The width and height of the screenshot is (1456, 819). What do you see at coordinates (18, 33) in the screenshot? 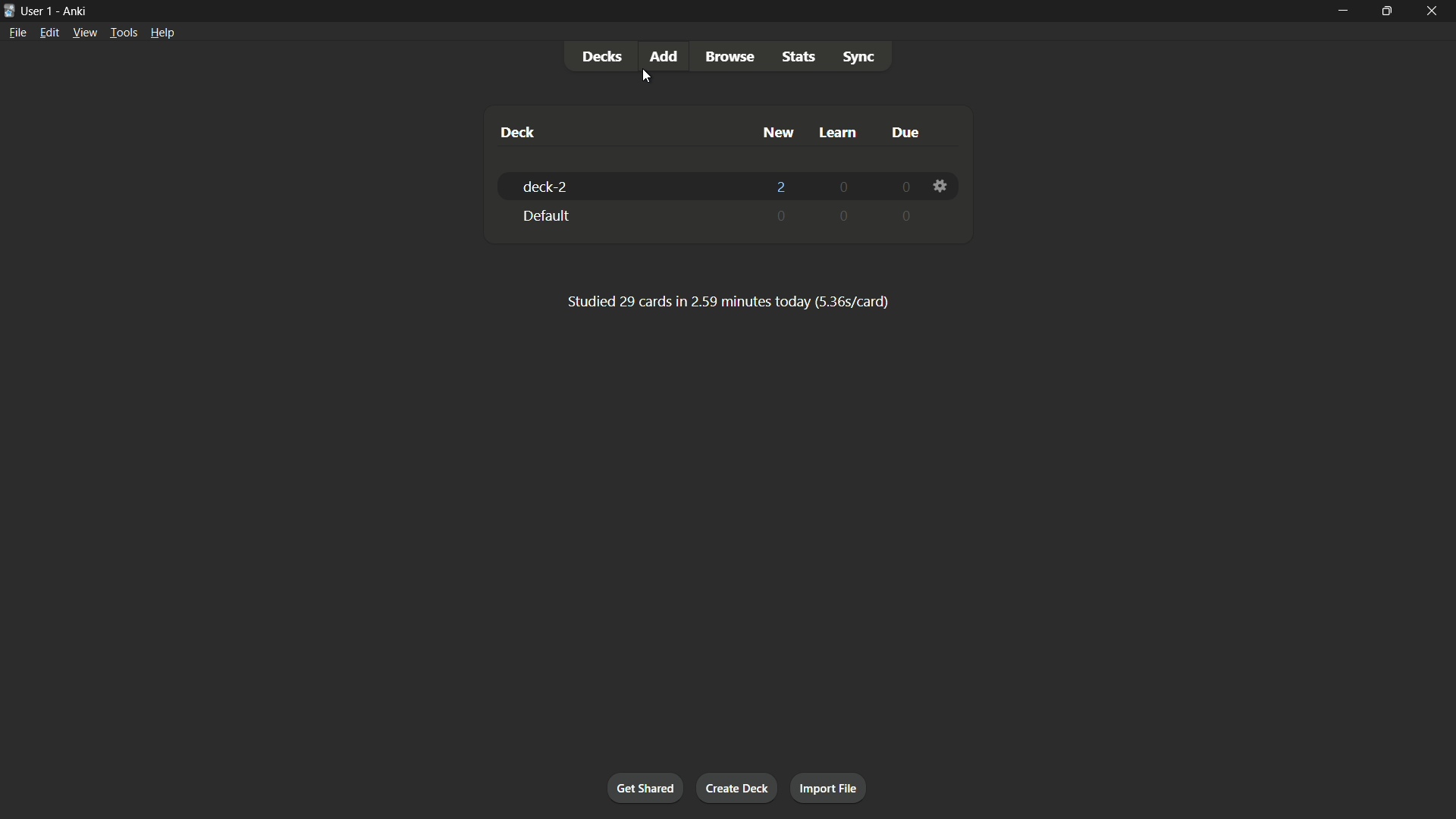
I see `file menu` at bounding box center [18, 33].